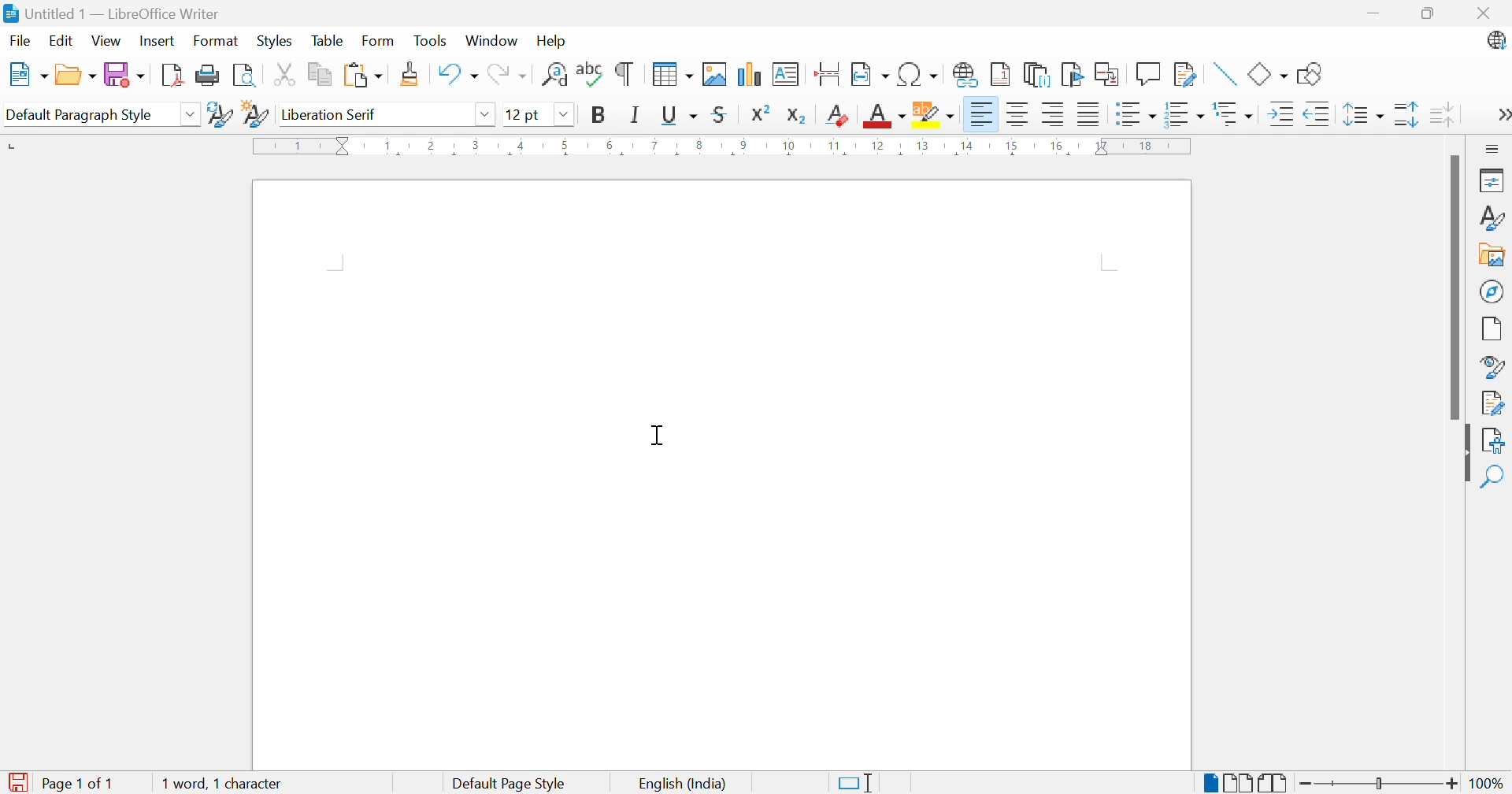 The width and height of the screenshot is (1512, 794). I want to click on Superscript, so click(761, 113).